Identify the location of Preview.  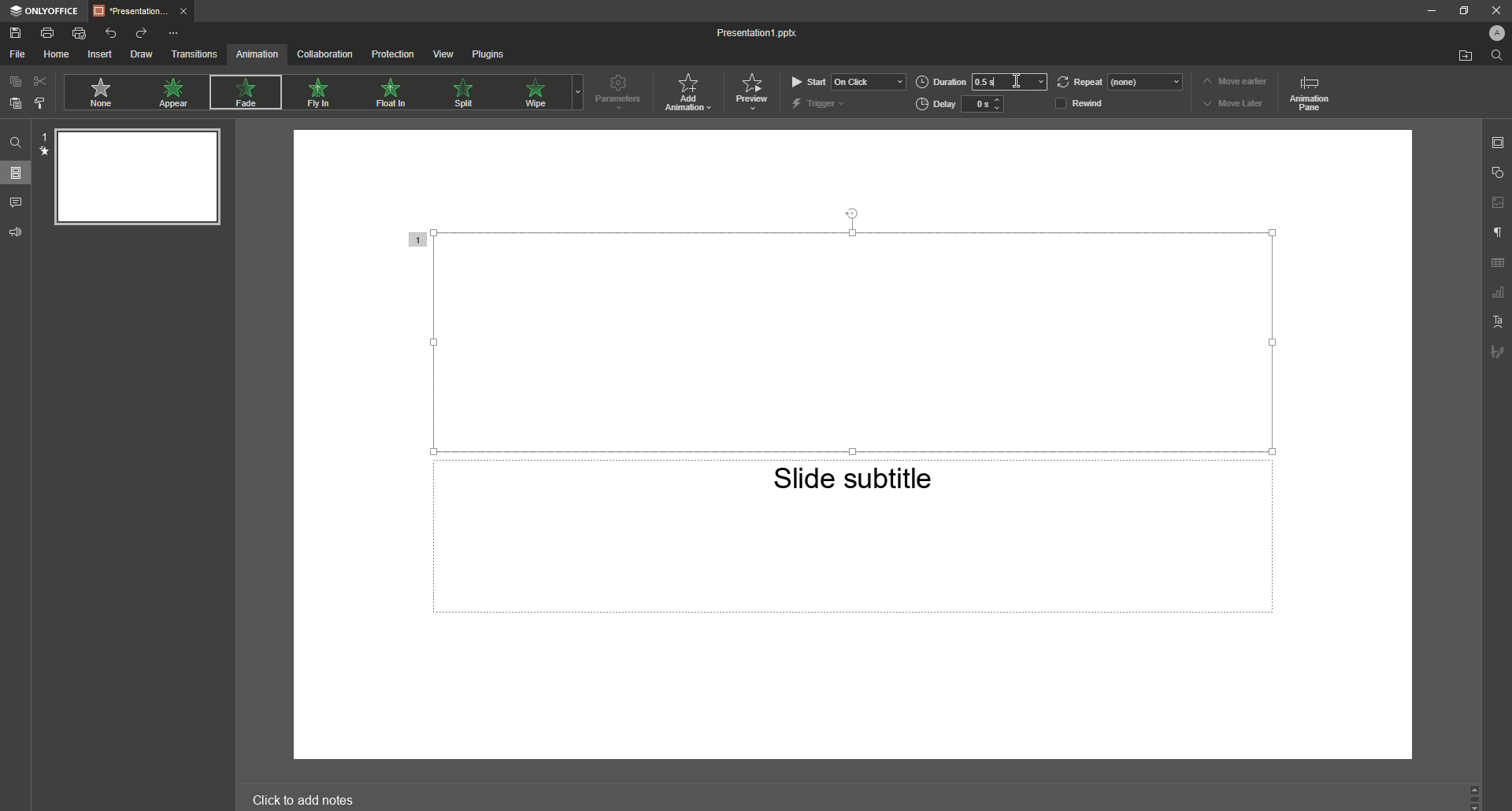
(751, 91).